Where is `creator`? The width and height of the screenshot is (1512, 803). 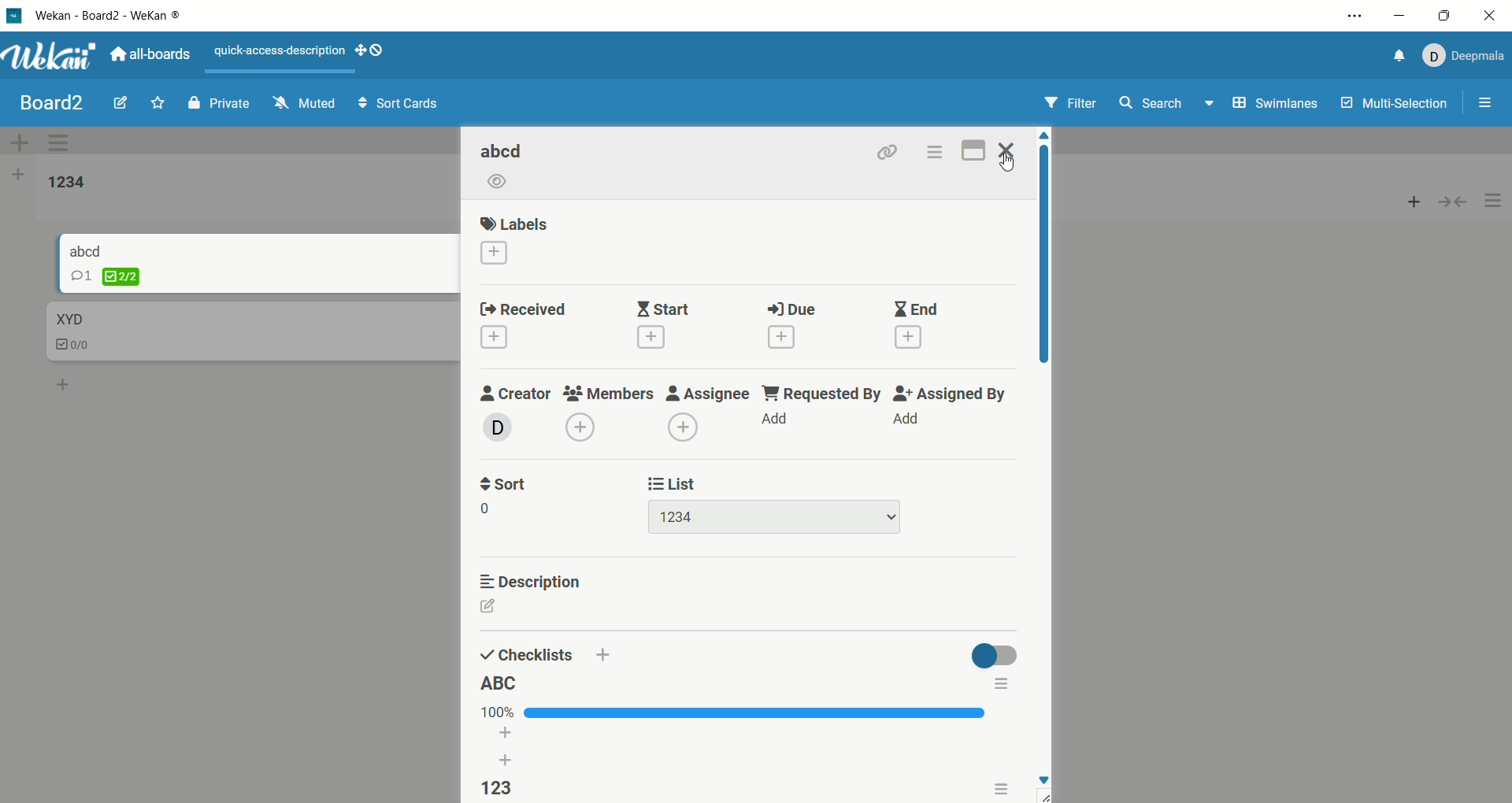
creator is located at coordinates (513, 409).